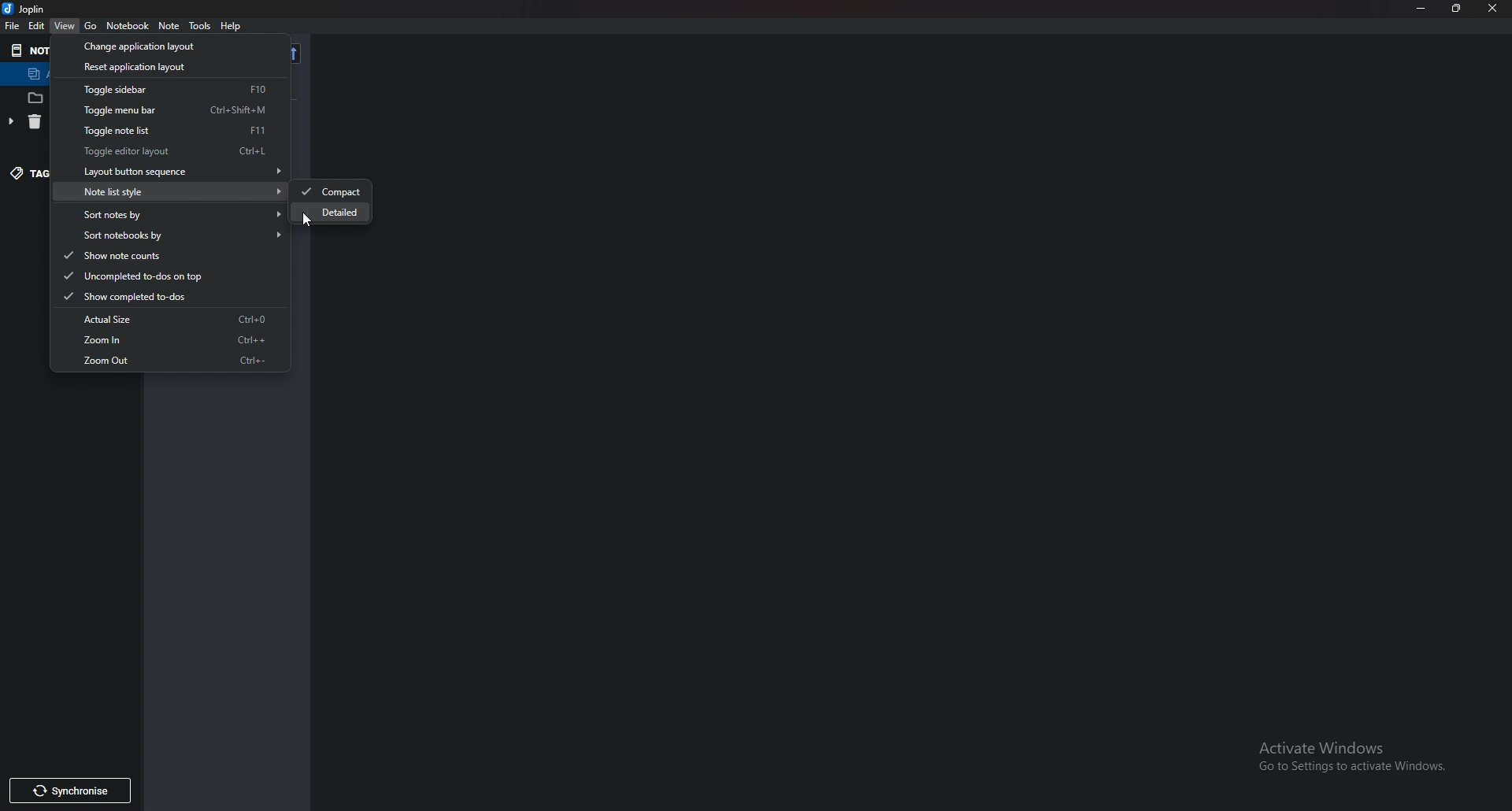 The width and height of the screenshot is (1512, 811). I want to click on go, so click(91, 25).